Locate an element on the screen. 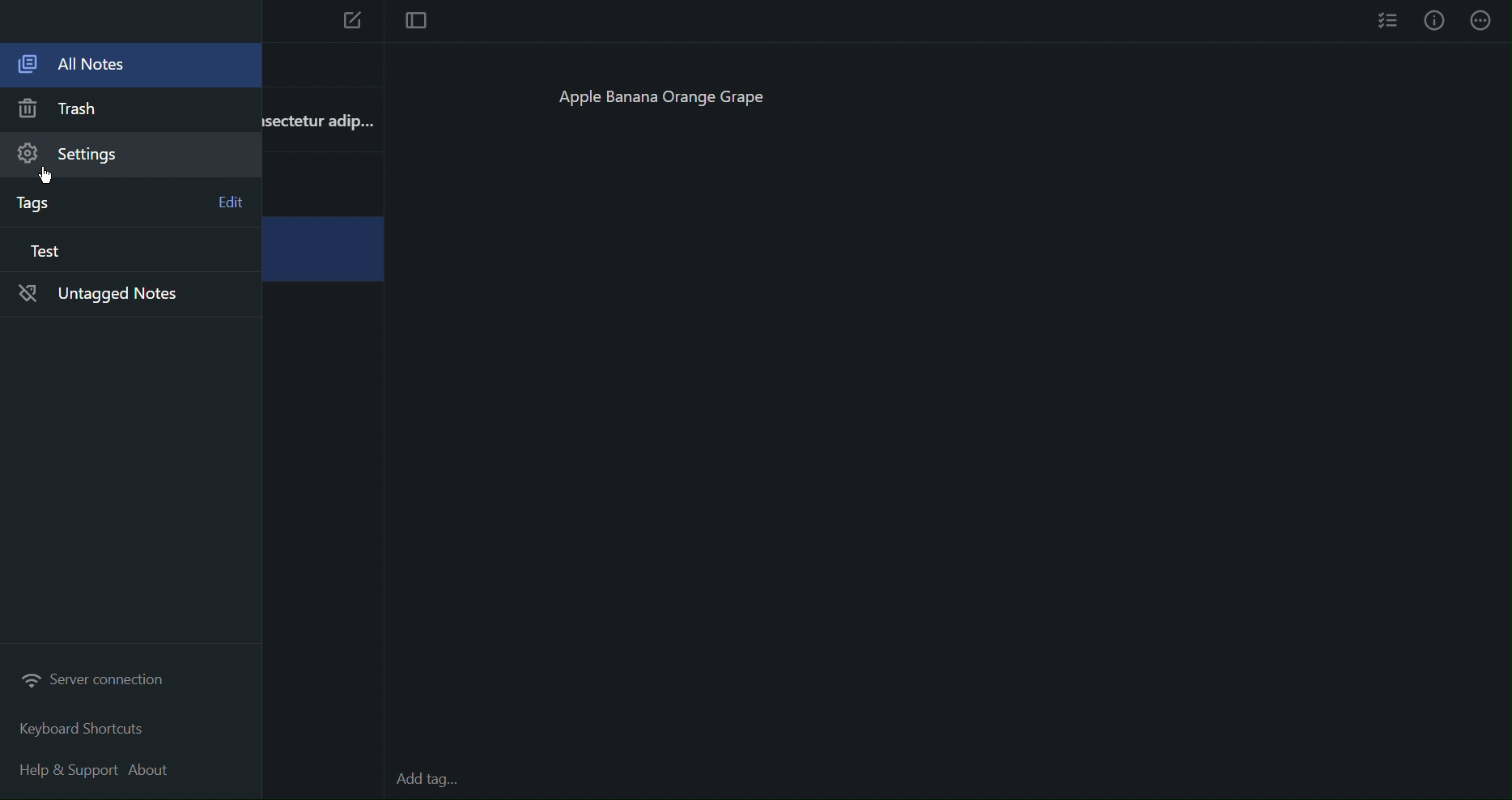 The image size is (1512, 800). Keyboard Shortcus is located at coordinates (81, 730).